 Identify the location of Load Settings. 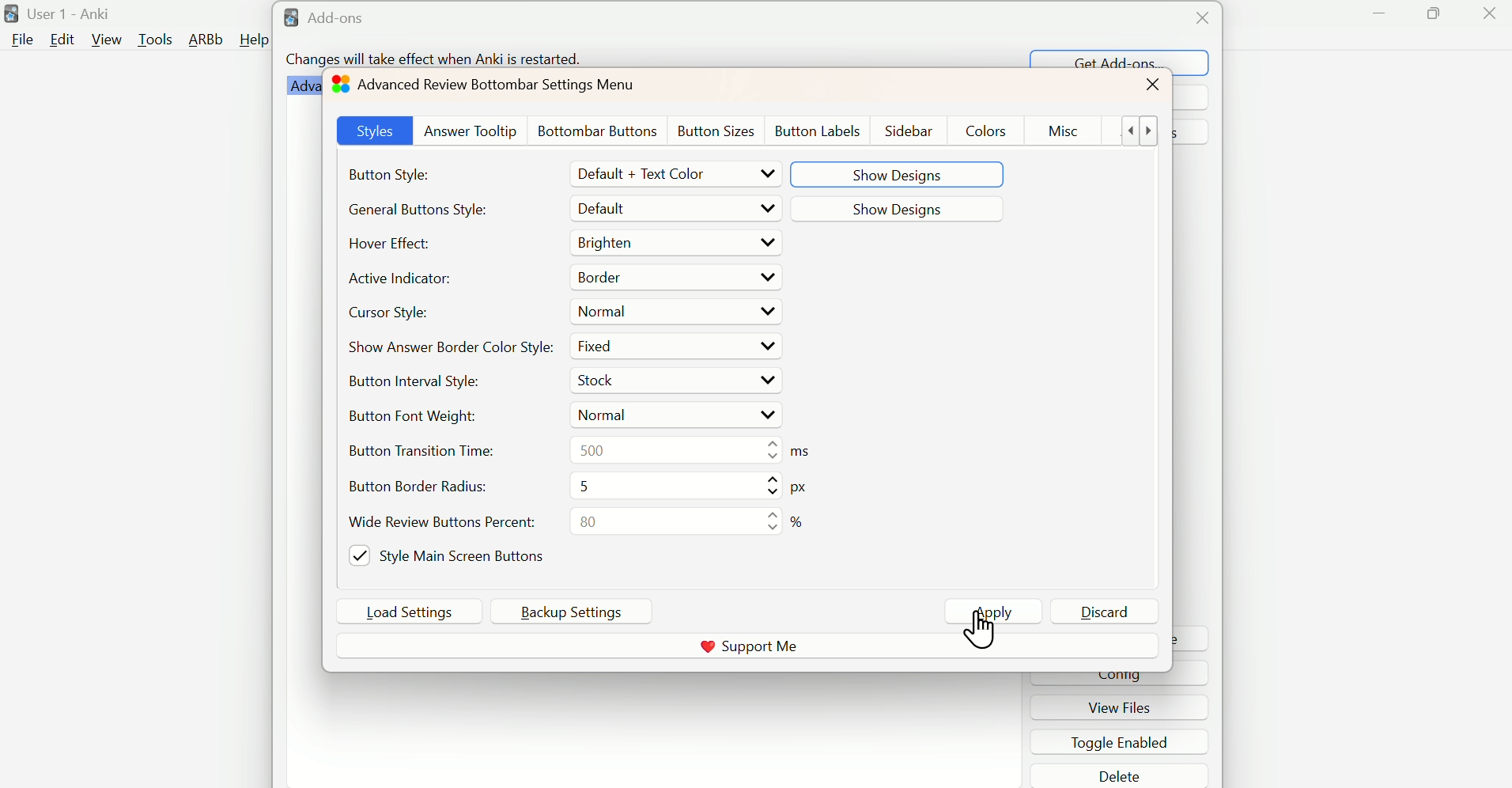
(418, 612).